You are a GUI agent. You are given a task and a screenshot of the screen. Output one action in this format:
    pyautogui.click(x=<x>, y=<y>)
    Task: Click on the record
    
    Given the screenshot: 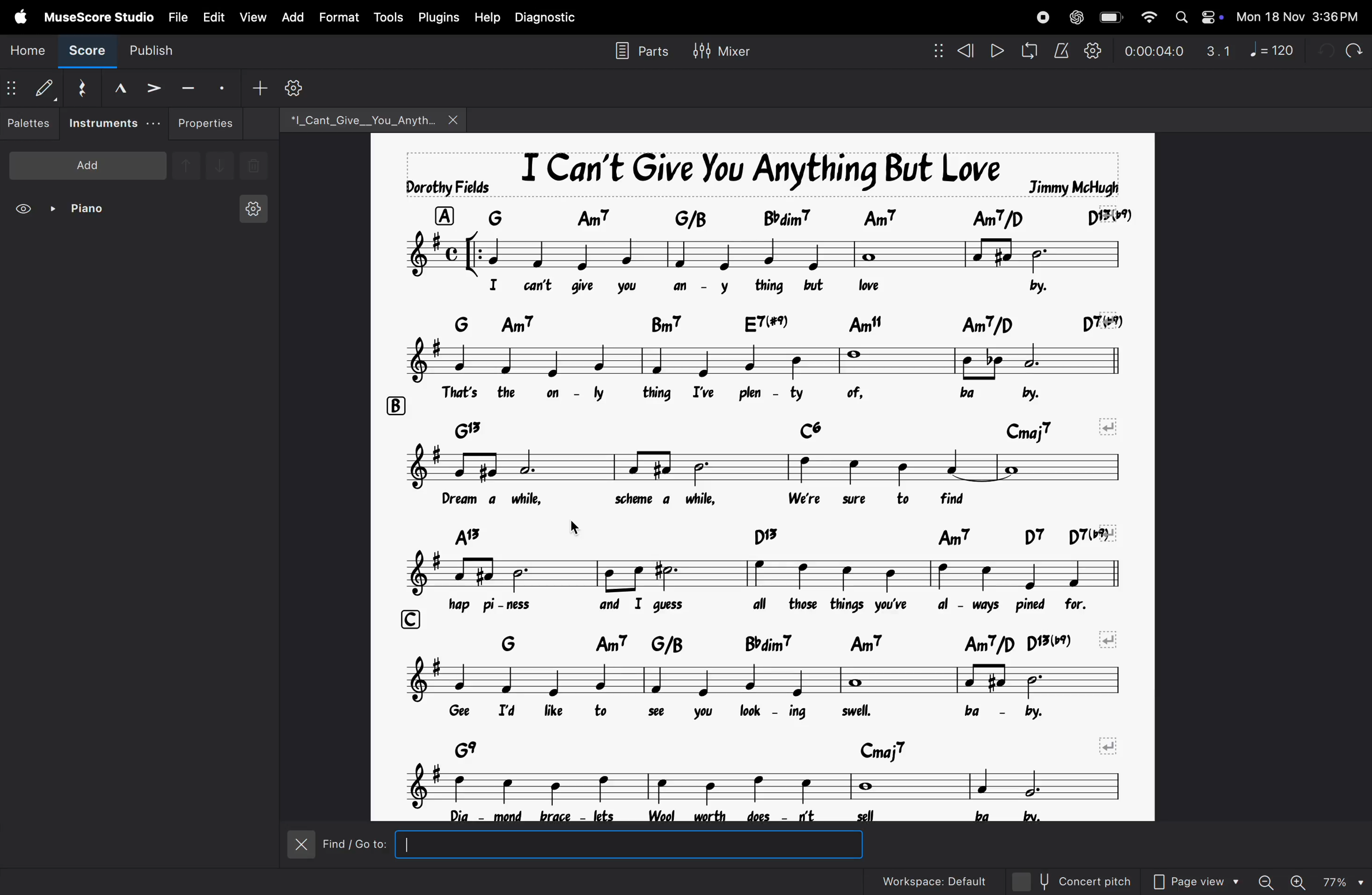 What is the action you would take?
    pyautogui.click(x=1042, y=17)
    